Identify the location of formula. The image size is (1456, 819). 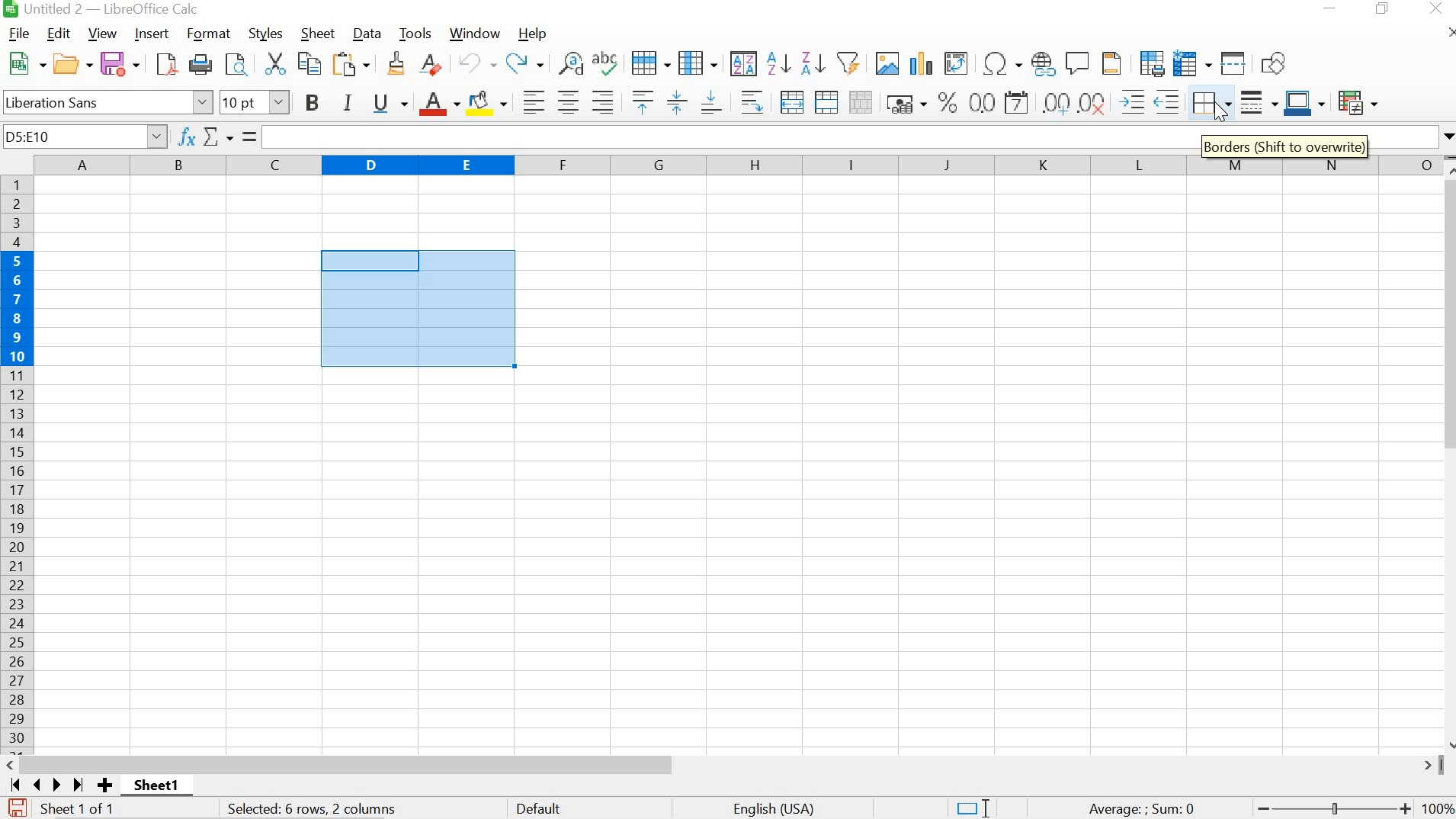
(1142, 810).